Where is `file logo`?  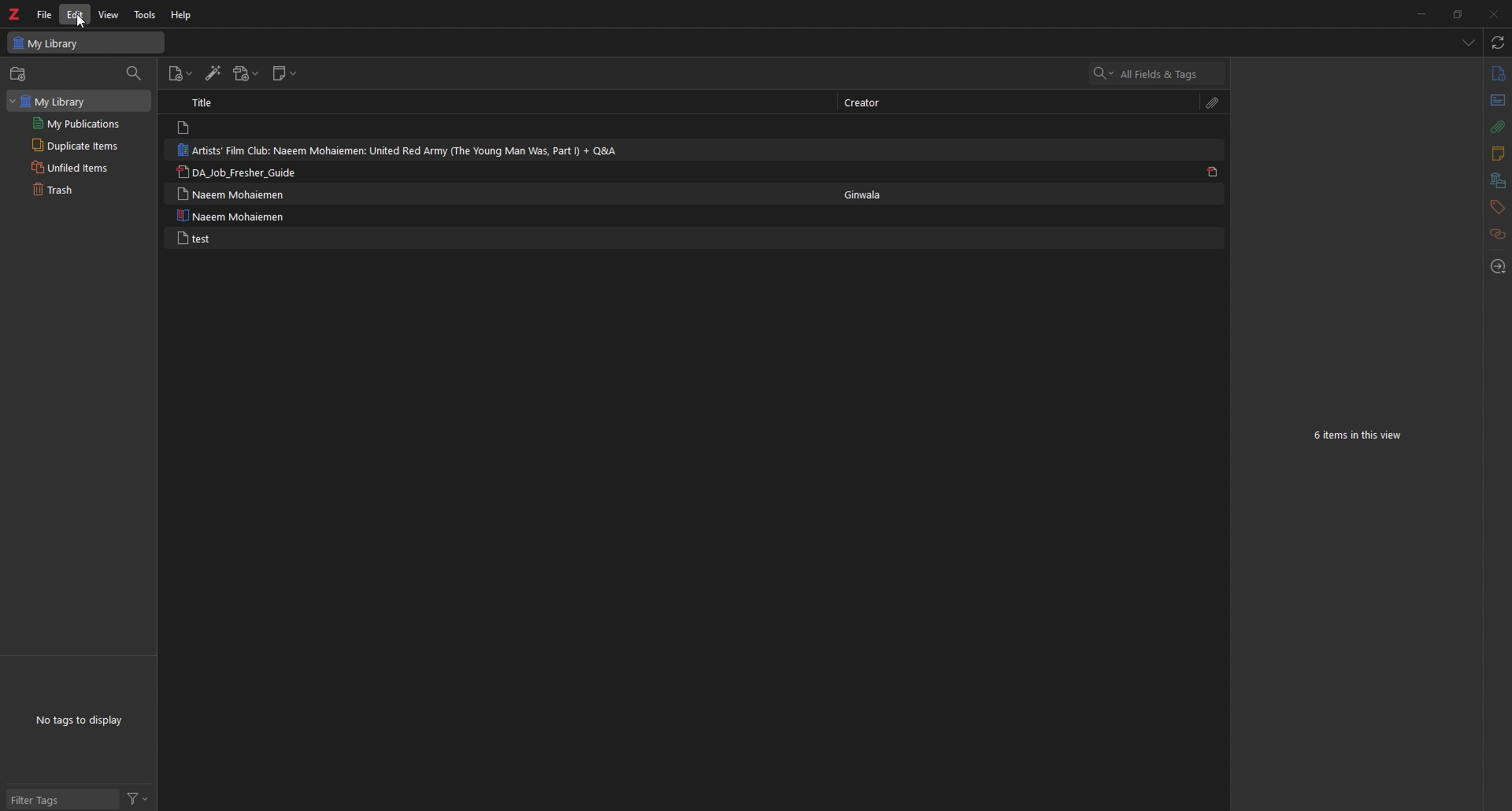
file logo is located at coordinates (185, 128).